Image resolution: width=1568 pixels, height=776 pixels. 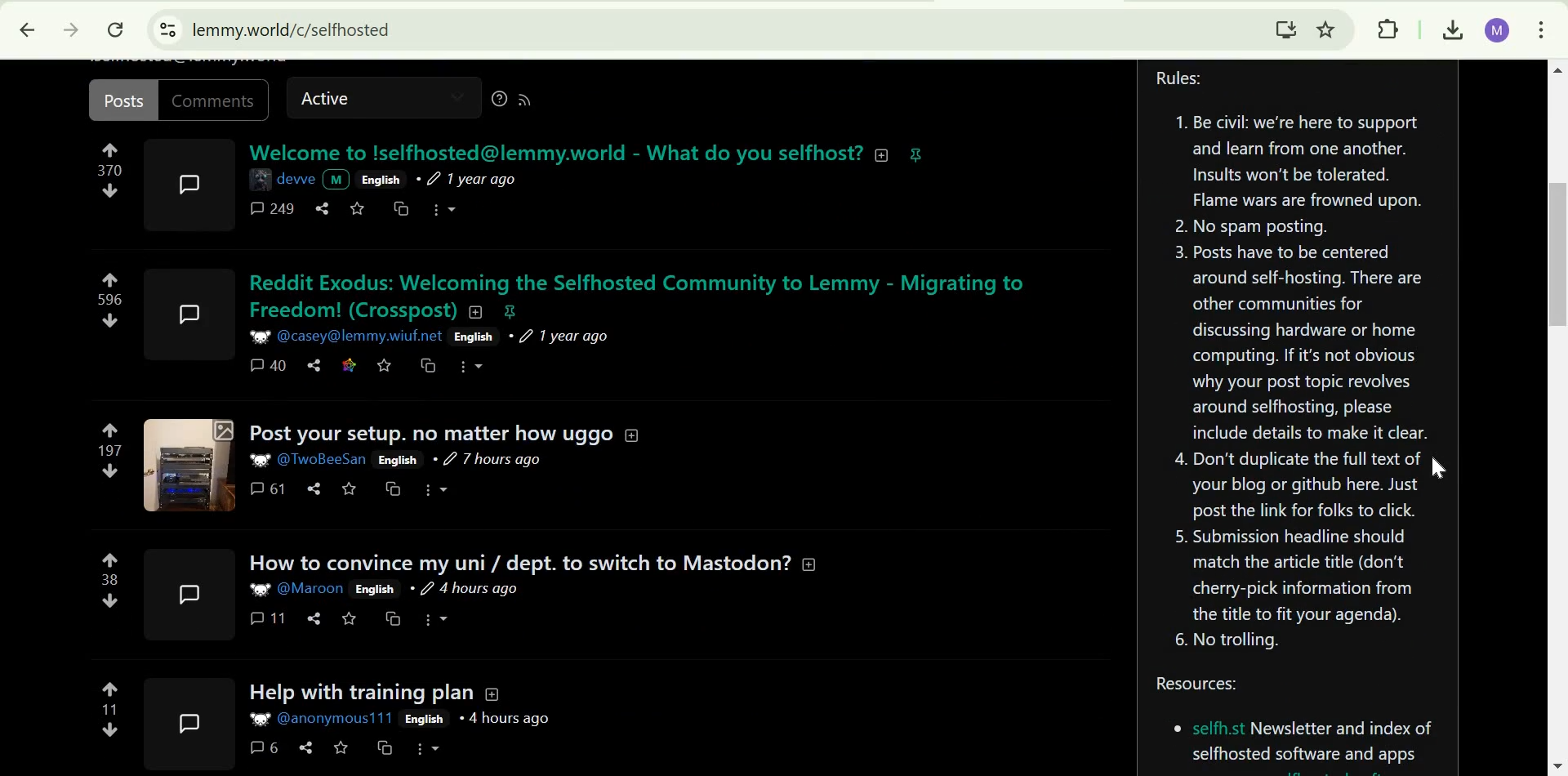 What do you see at coordinates (430, 364) in the screenshot?
I see `cross-post` at bounding box center [430, 364].